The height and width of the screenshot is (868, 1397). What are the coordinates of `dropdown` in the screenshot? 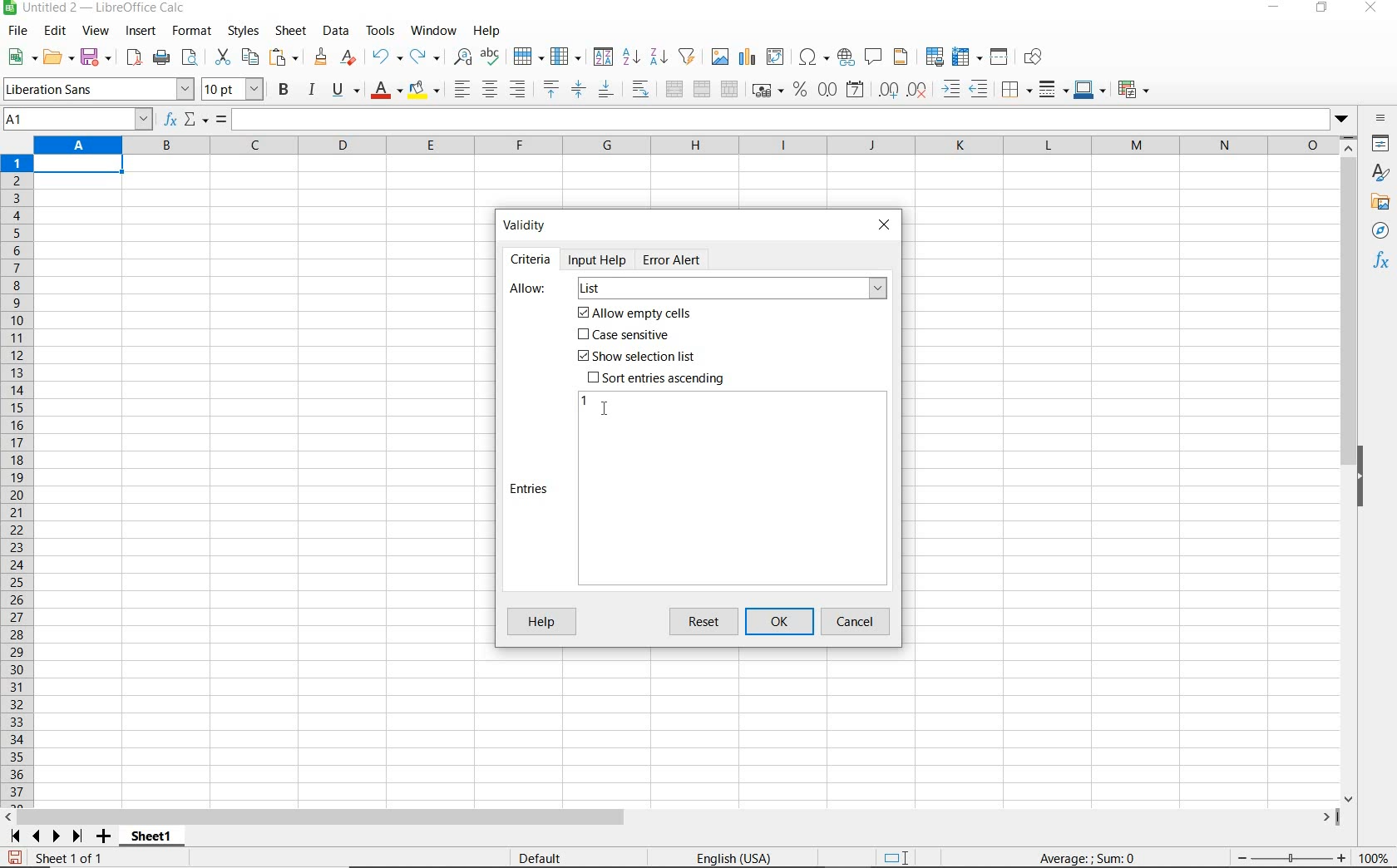 It's located at (1343, 121).